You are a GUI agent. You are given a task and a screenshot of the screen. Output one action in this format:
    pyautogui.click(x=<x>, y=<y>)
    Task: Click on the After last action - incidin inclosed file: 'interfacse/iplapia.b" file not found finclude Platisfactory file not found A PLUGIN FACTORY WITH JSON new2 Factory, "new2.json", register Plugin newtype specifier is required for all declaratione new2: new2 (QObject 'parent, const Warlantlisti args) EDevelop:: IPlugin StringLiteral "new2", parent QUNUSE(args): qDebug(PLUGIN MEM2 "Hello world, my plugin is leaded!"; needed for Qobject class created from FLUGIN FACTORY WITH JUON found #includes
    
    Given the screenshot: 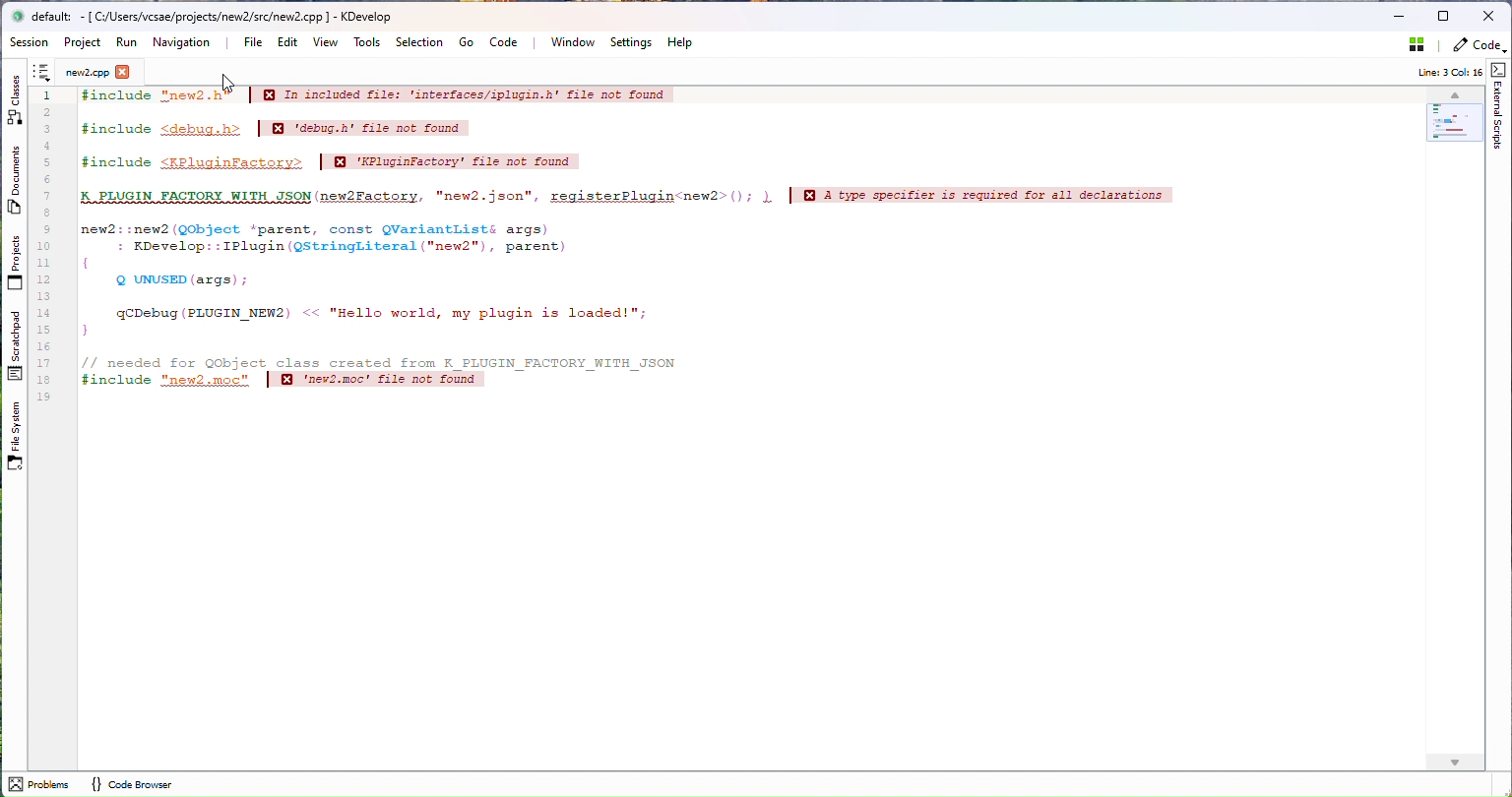 What is the action you would take?
    pyautogui.click(x=662, y=289)
    